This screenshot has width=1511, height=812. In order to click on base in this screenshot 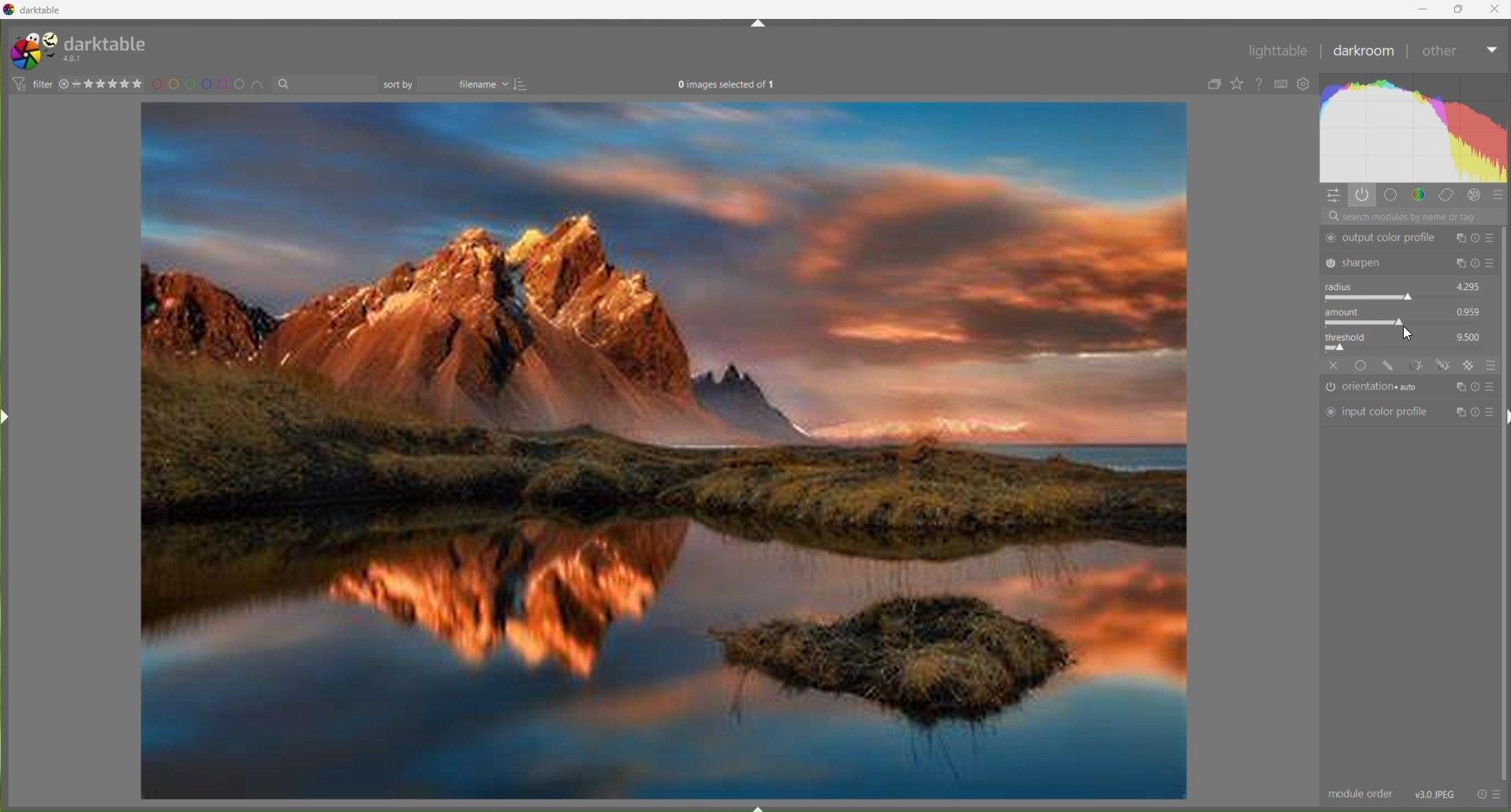, I will do `click(1362, 365)`.